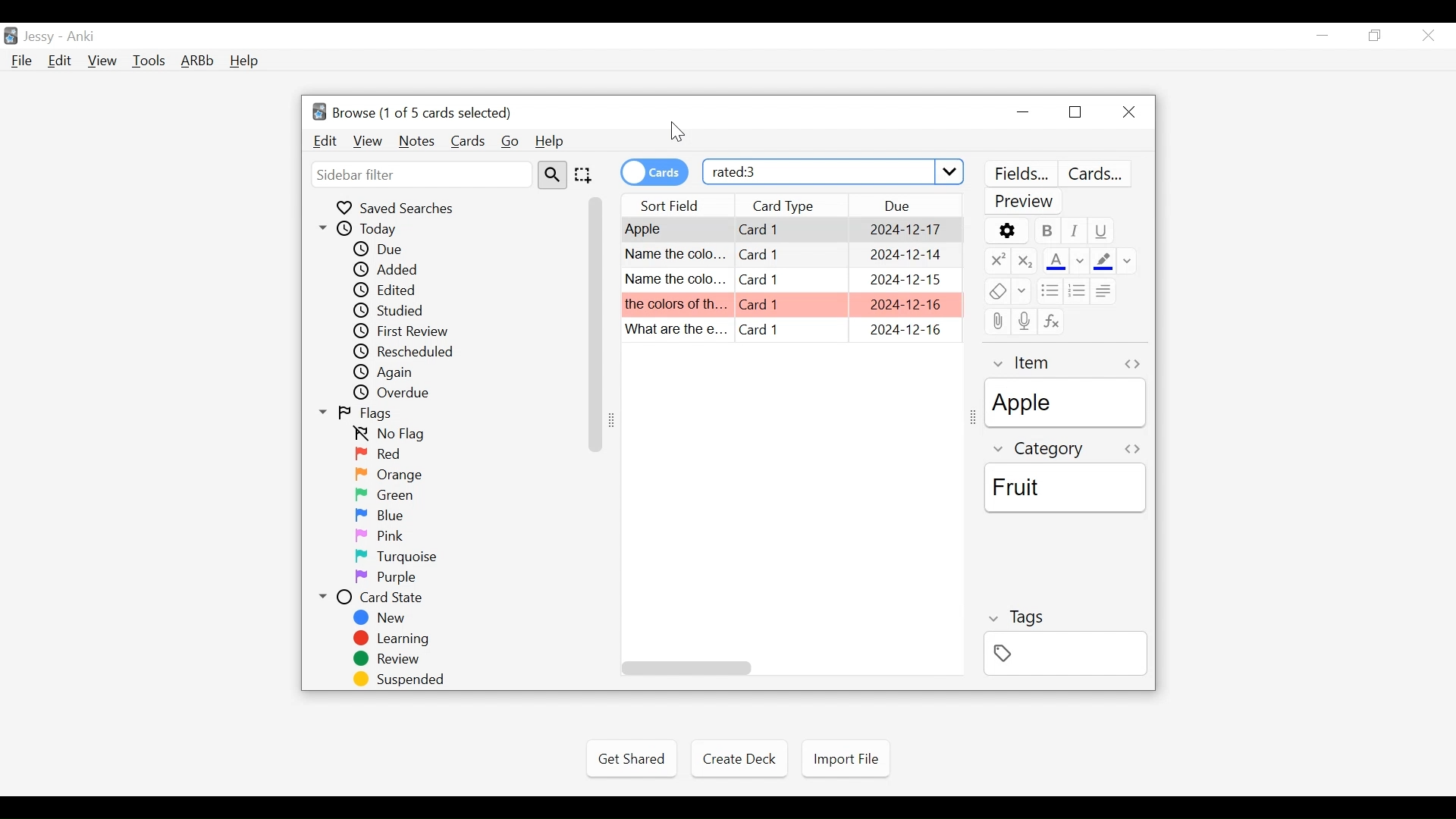 The width and height of the screenshot is (1456, 819). Describe the element at coordinates (904, 306) in the screenshot. I see `Date` at that location.